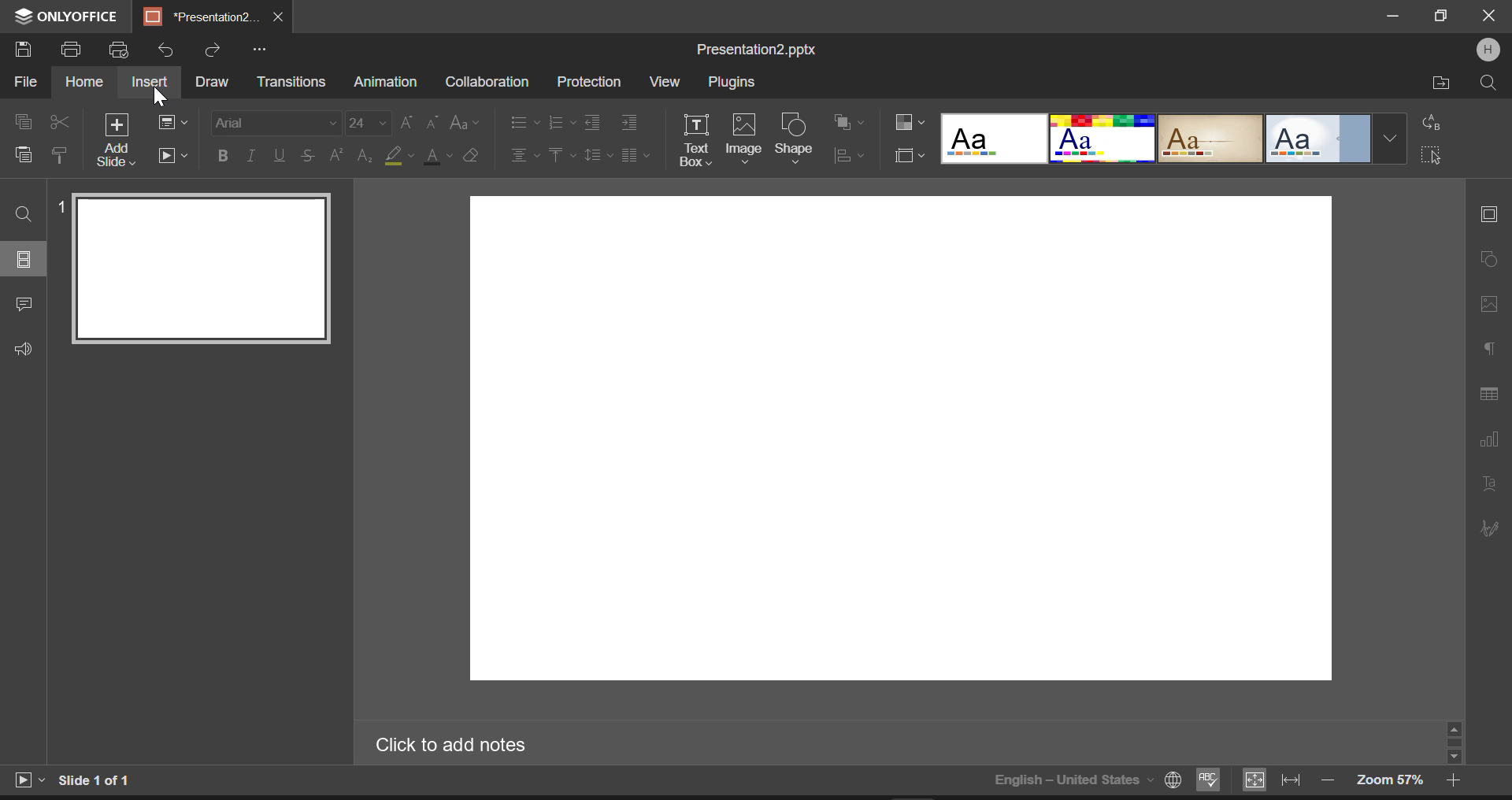 Image resolution: width=1512 pixels, height=800 pixels. I want to click on Start Slideshow, so click(176, 155).